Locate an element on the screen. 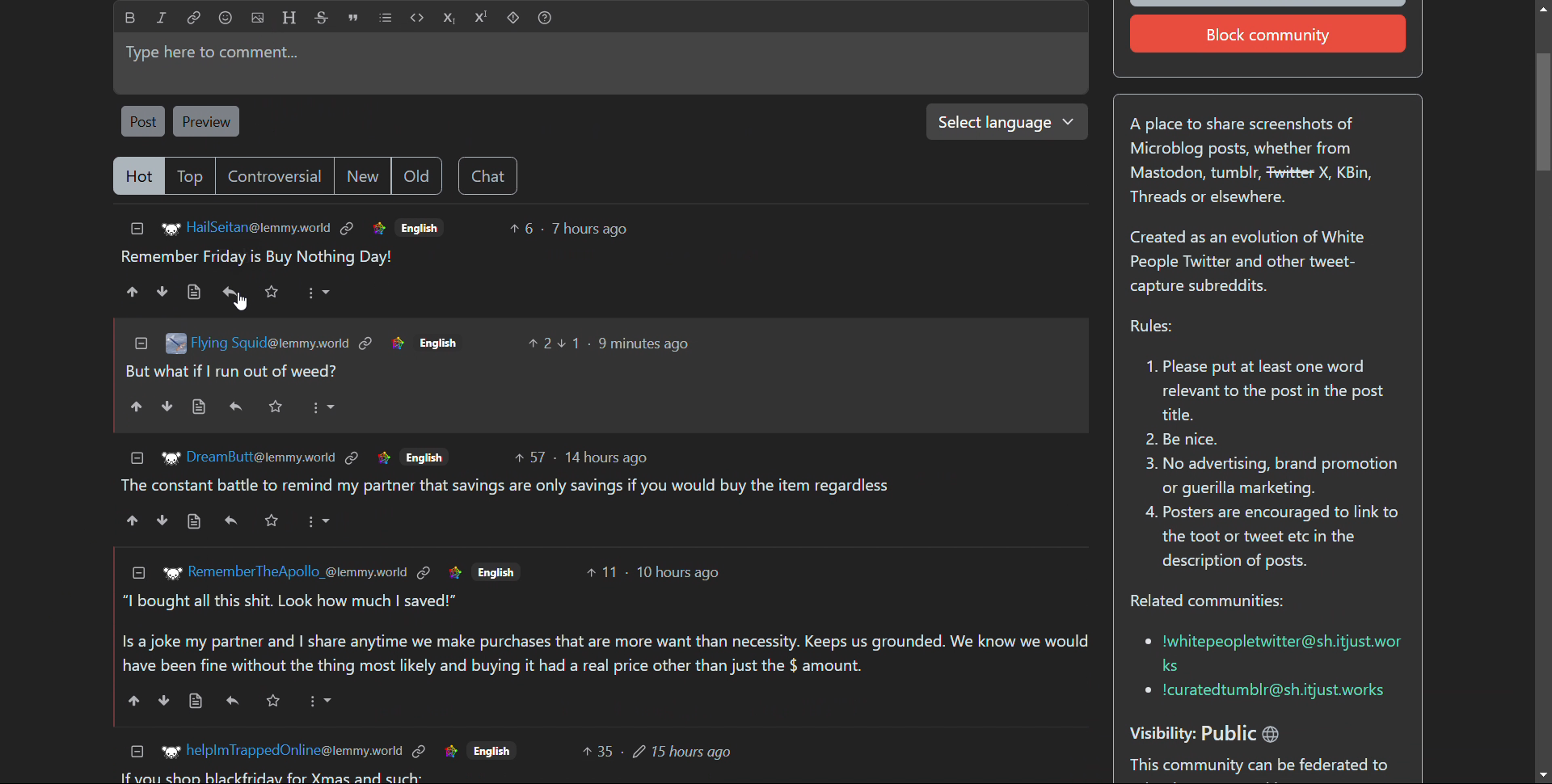 This screenshot has width=1552, height=784. old is located at coordinates (416, 176).